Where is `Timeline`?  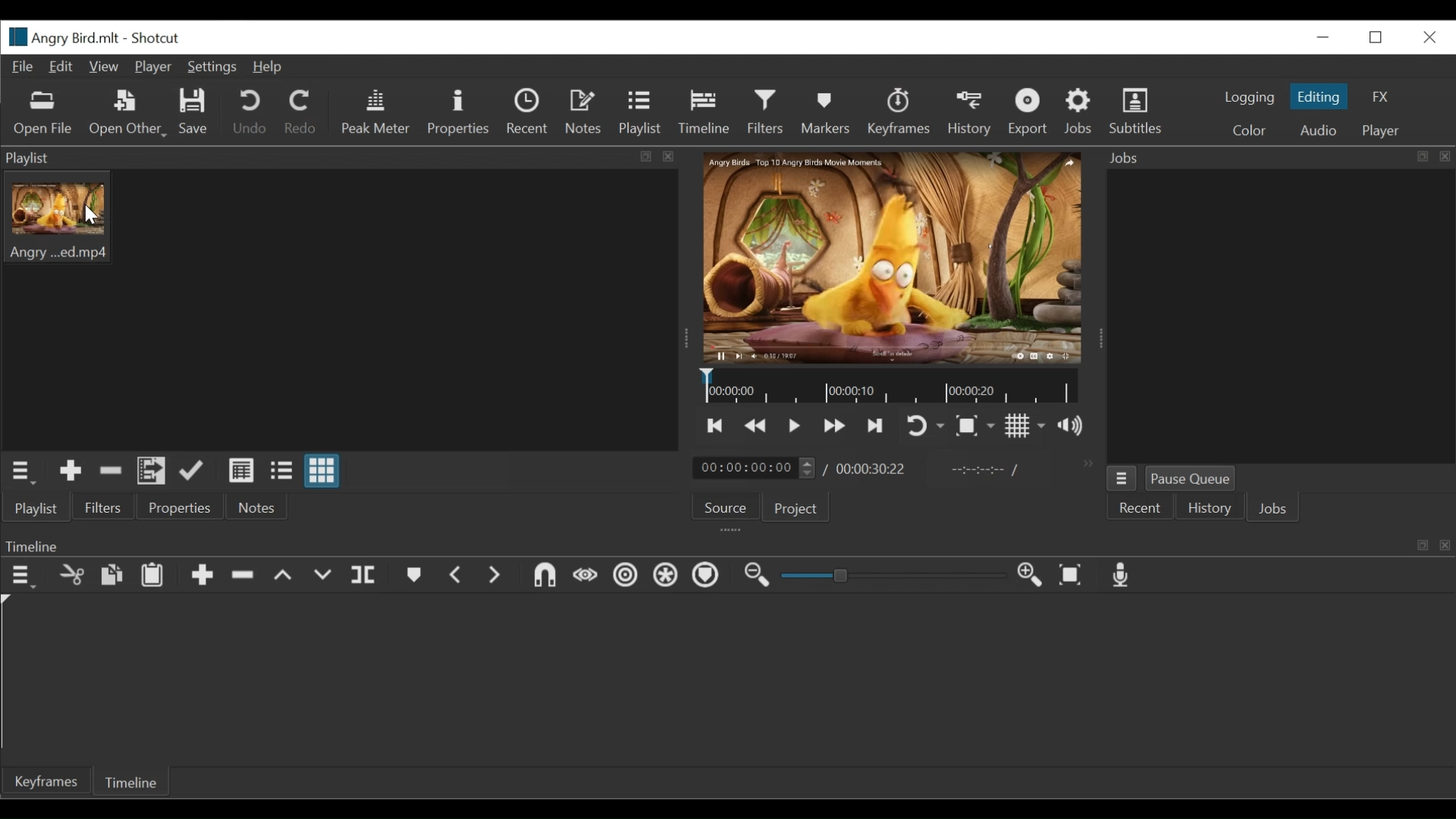
Timeline is located at coordinates (134, 780).